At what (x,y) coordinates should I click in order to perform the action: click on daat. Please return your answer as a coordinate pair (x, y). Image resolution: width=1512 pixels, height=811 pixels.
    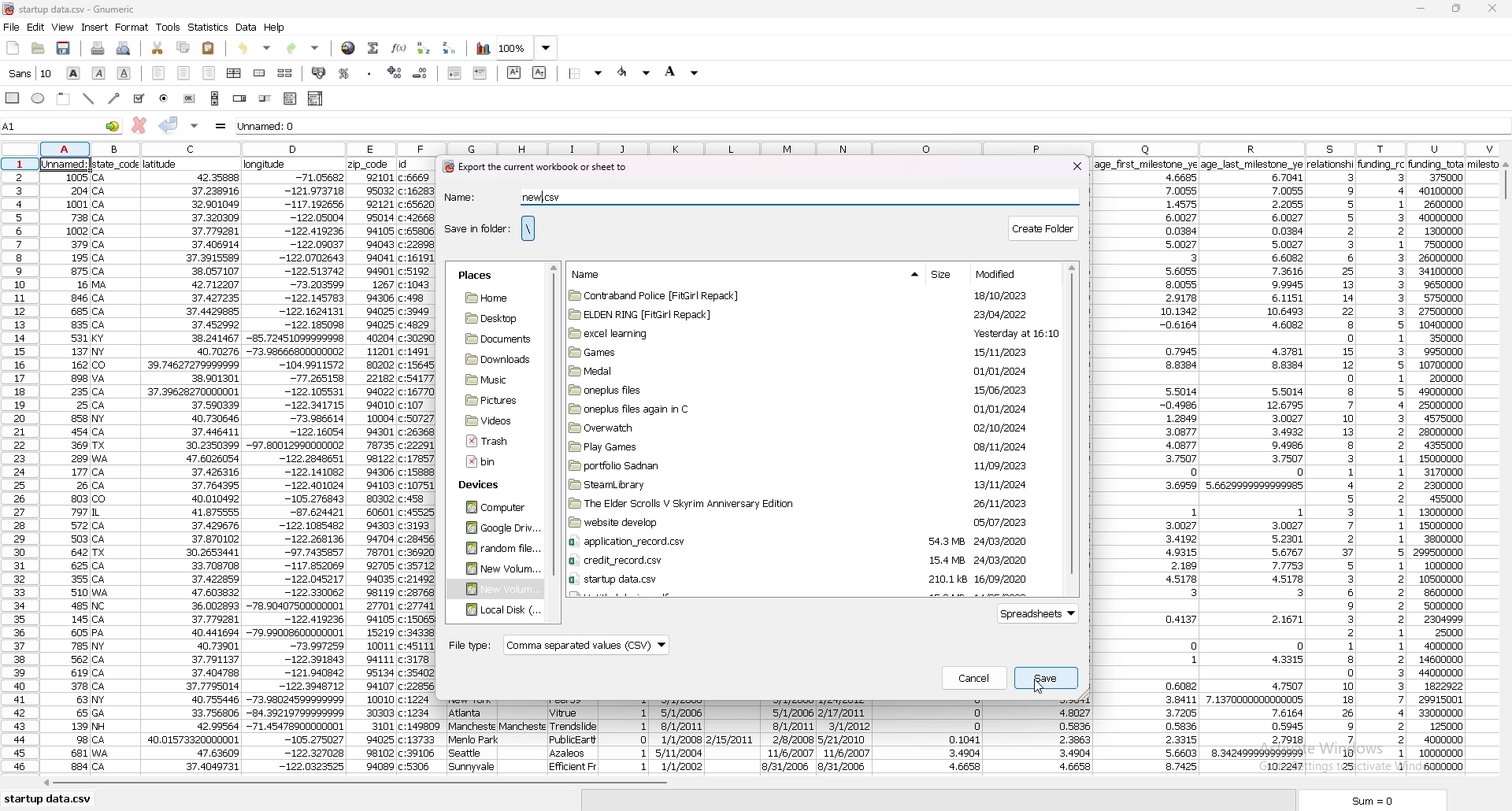
    Looking at the image, I should click on (523, 734).